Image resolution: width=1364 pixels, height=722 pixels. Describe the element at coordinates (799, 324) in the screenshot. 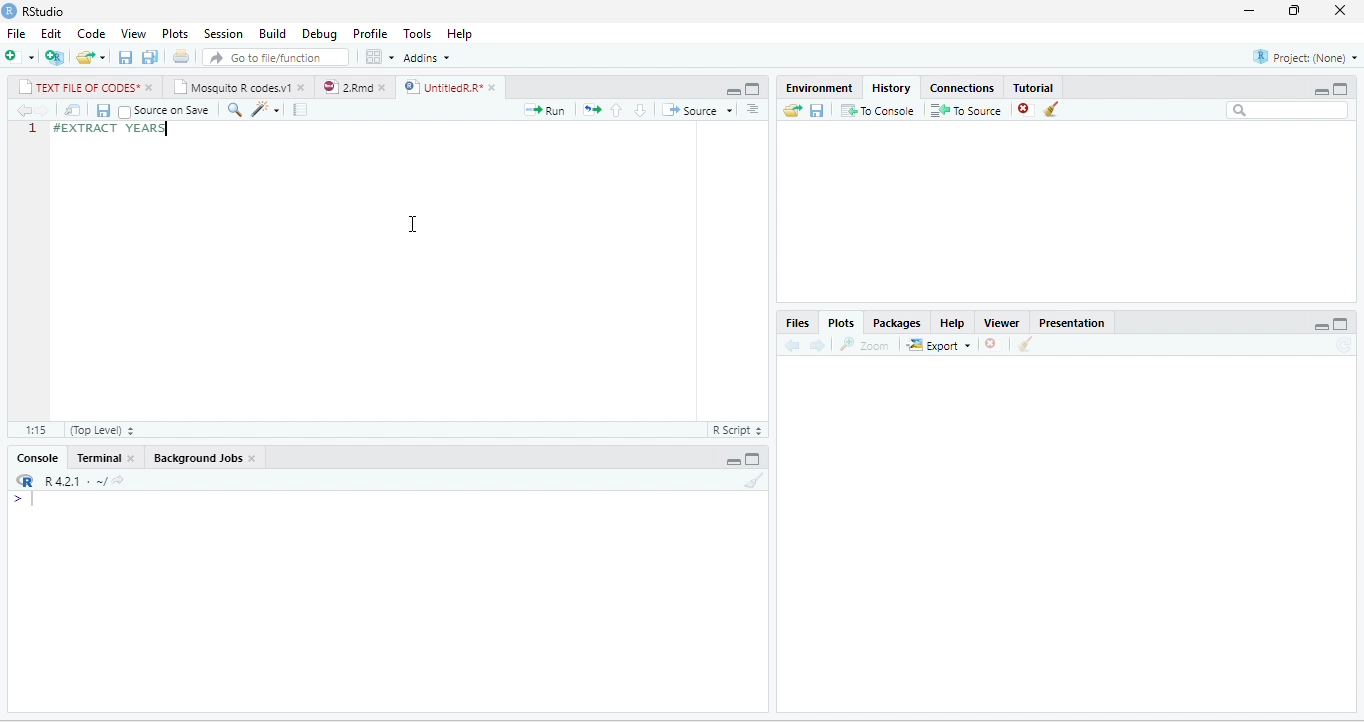

I see `Files` at that location.